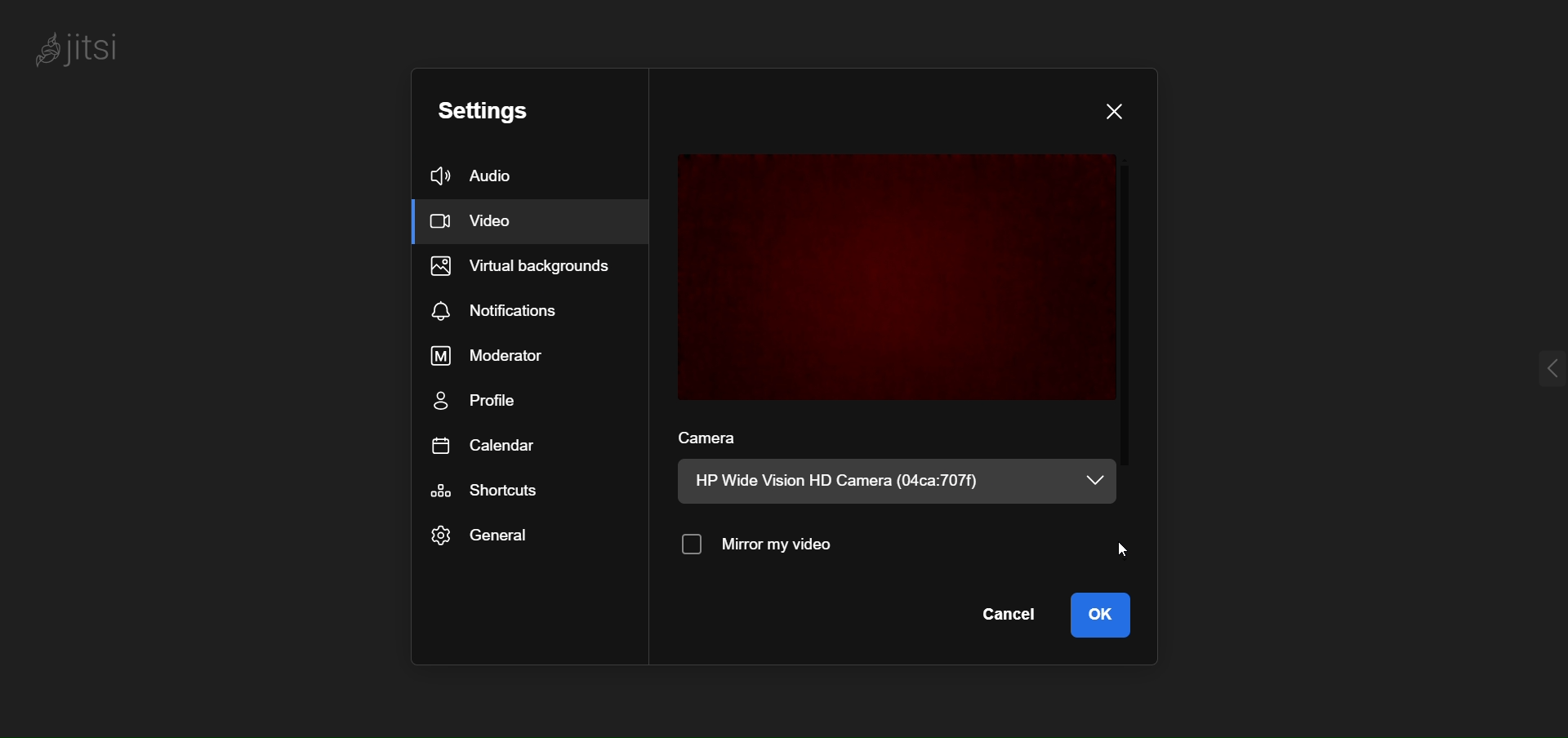 This screenshot has width=1568, height=738. What do you see at coordinates (494, 354) in the screenshot?
I see `moderator` at bounding box center [494, 354].